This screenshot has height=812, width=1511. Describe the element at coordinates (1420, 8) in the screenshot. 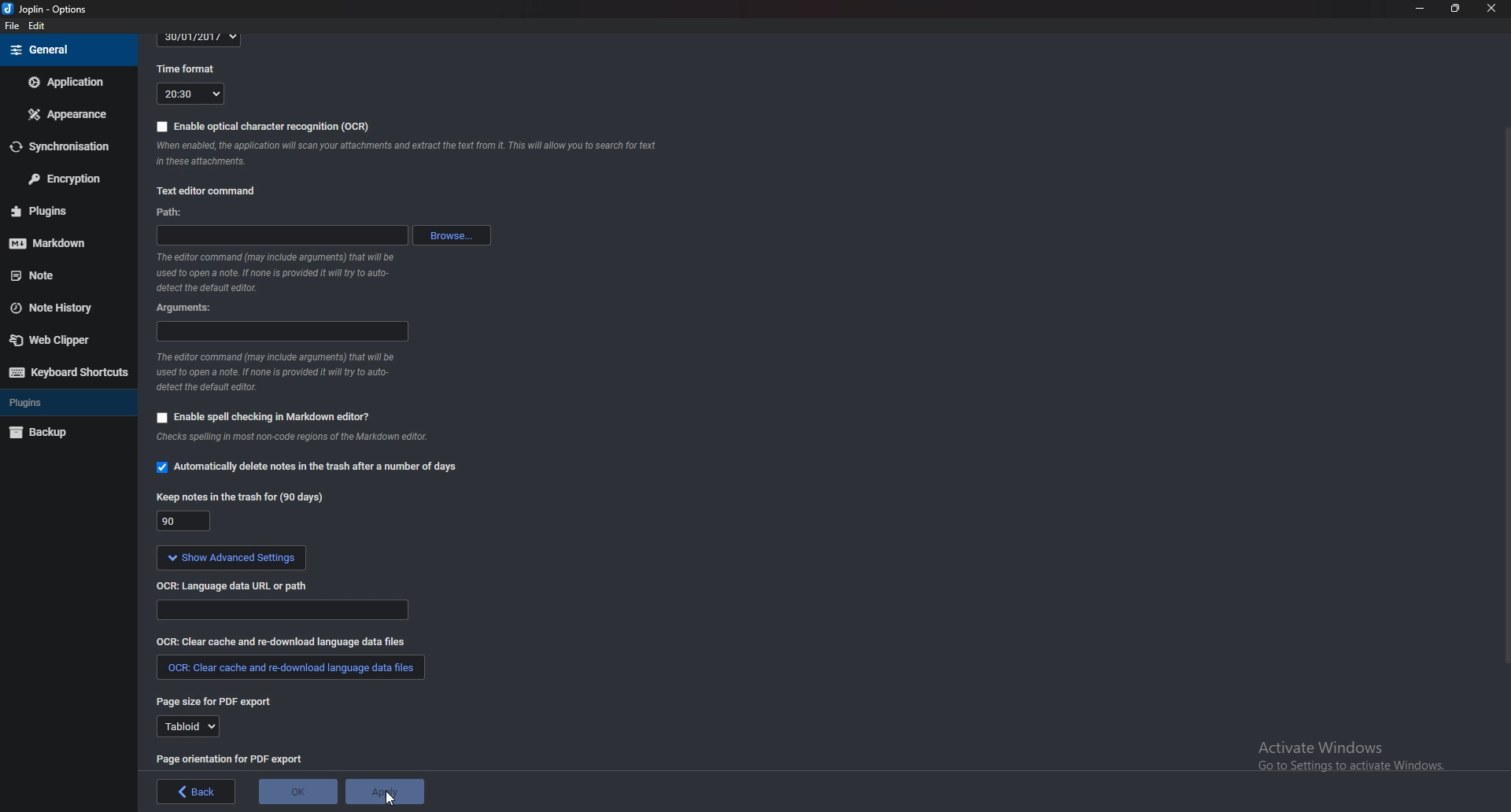

I see `Minimize` at that location.